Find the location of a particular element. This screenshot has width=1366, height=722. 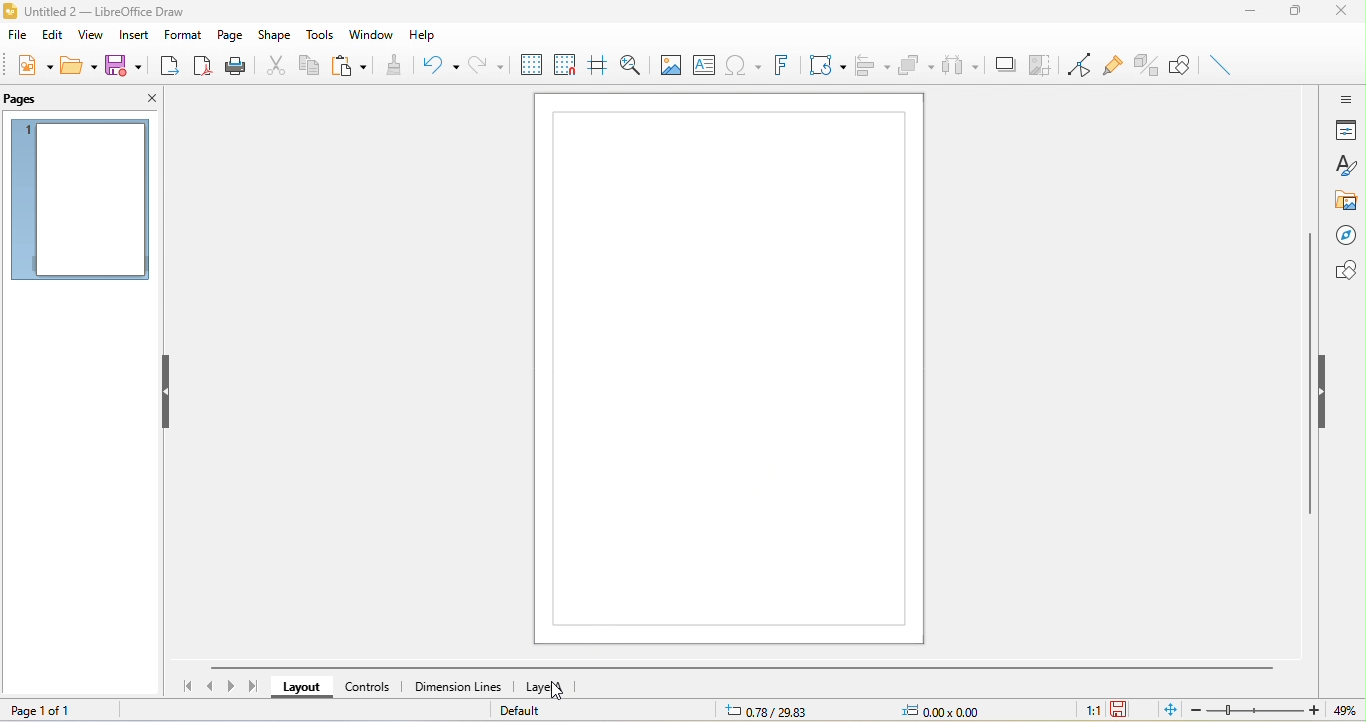

file is located at coordinates (19, 33).